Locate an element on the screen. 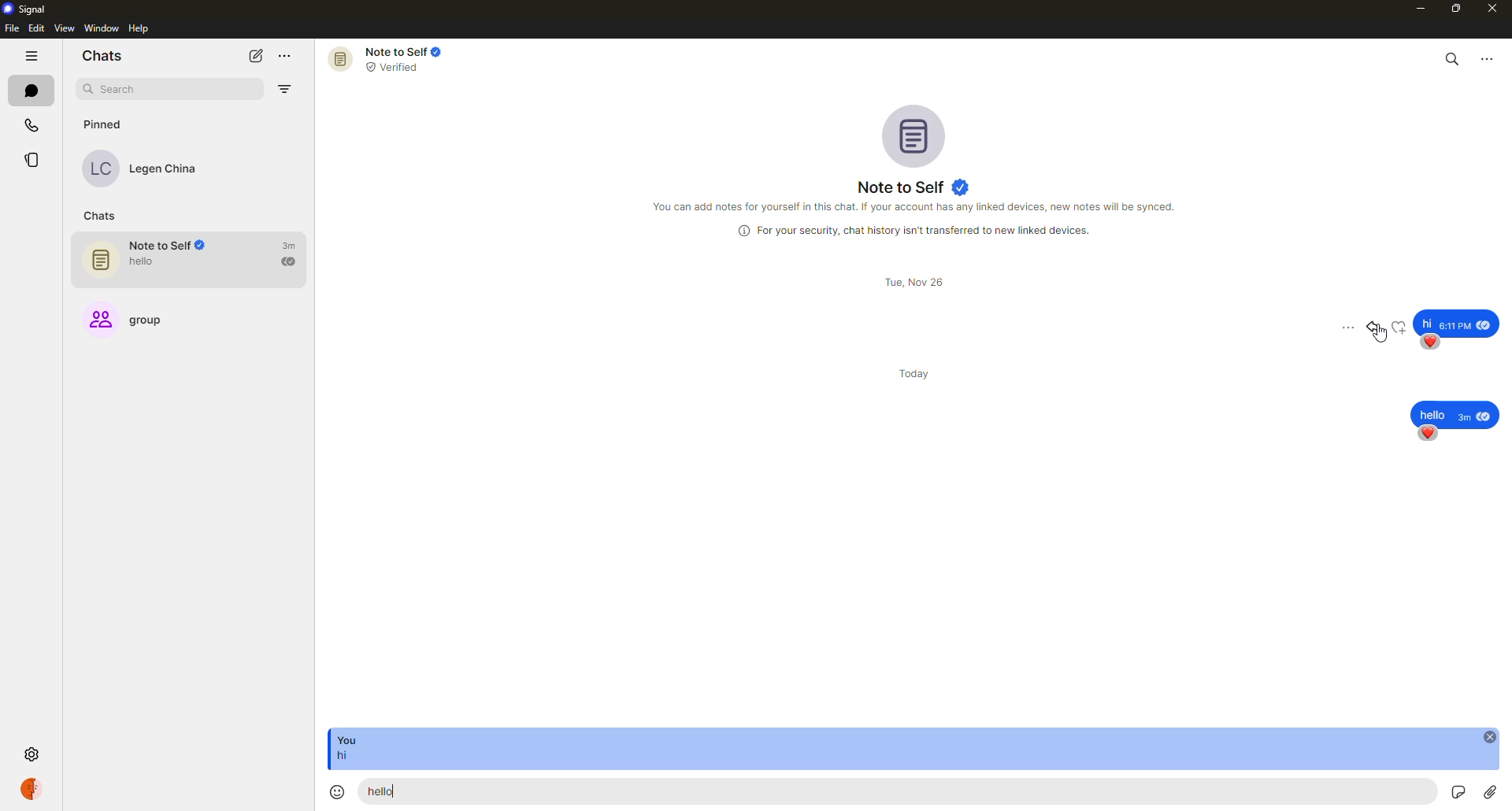 The height and width of the screenshot is (811, 1512). signal is located at coordinates (26, 9).